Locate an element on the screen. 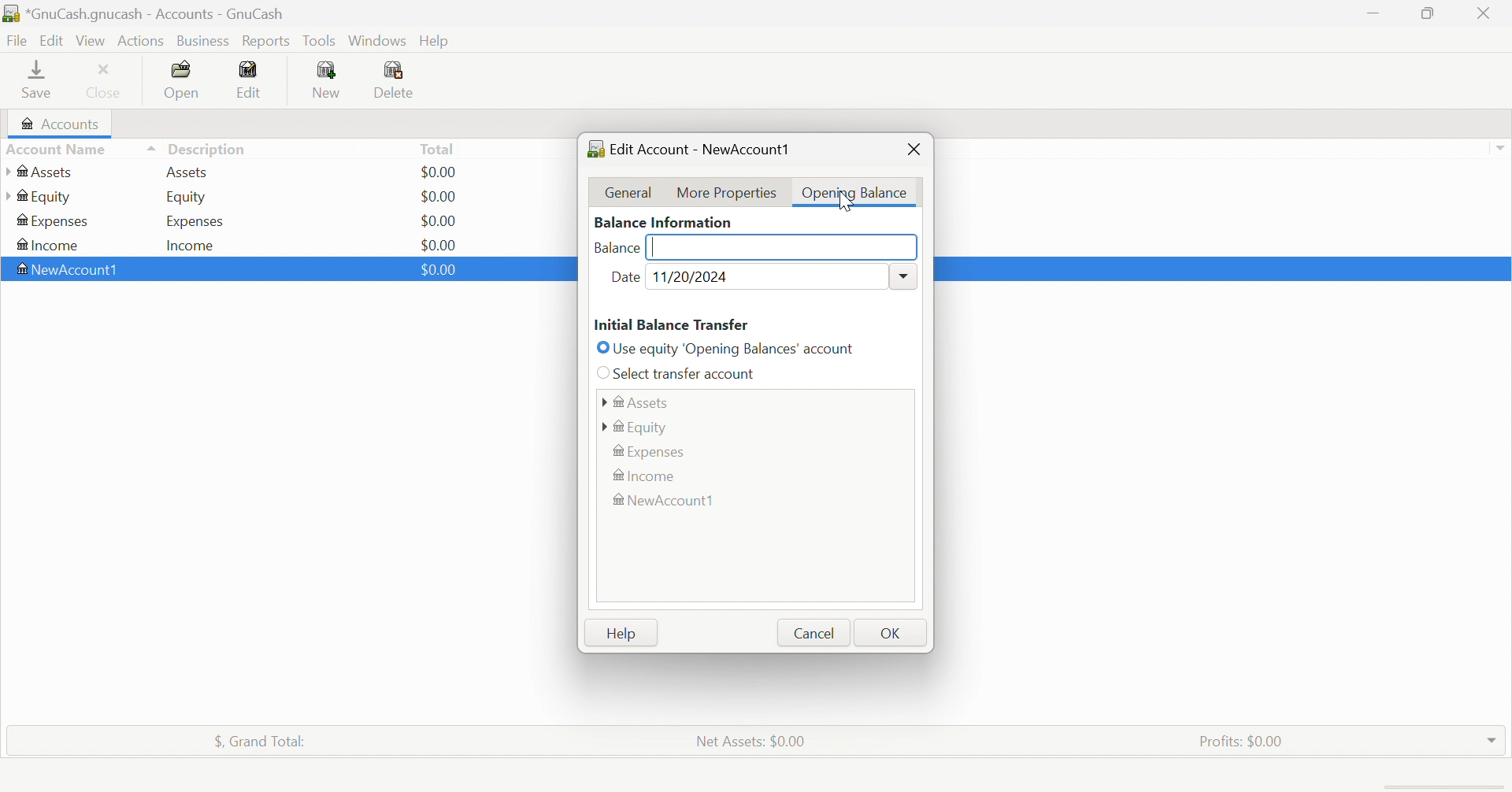 This screenshot has height=792, width=1512. Close is located at coordinates (107, 80).